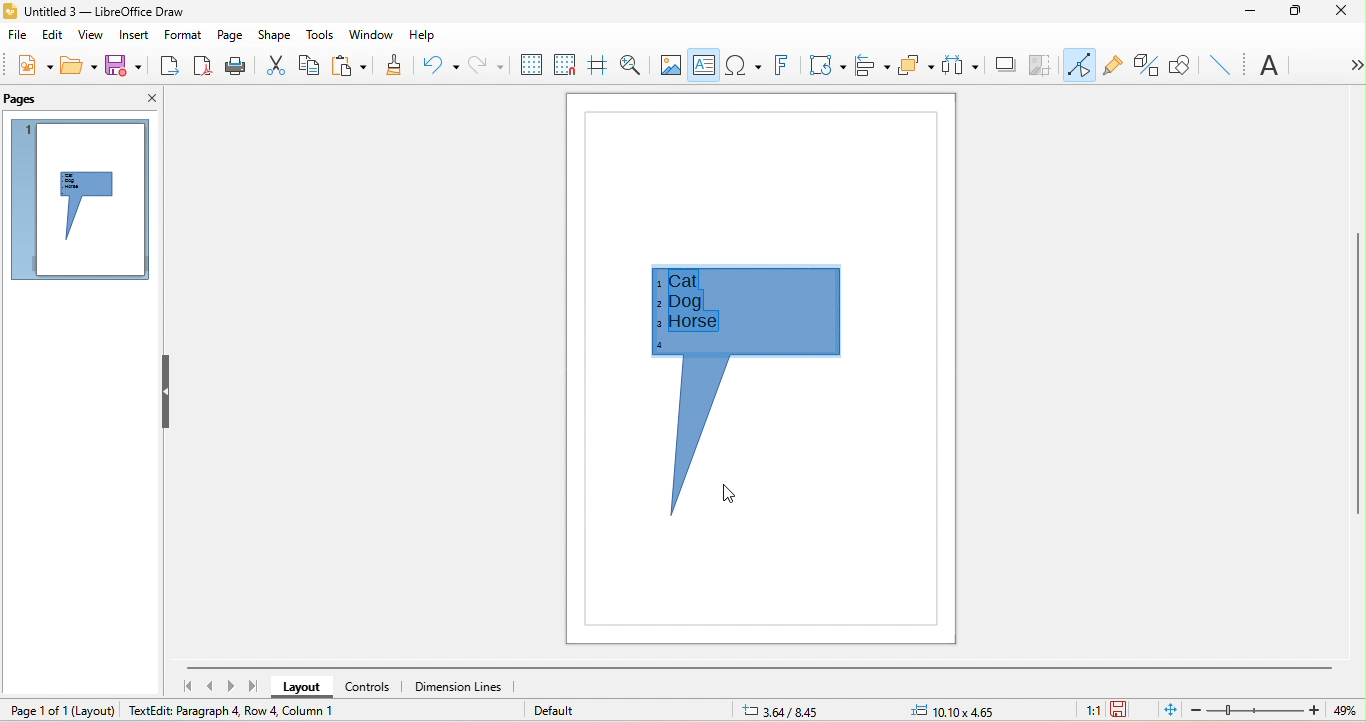 The height and width of the screenshot is (722, 1366). I want to click on save, so click(123, 66).